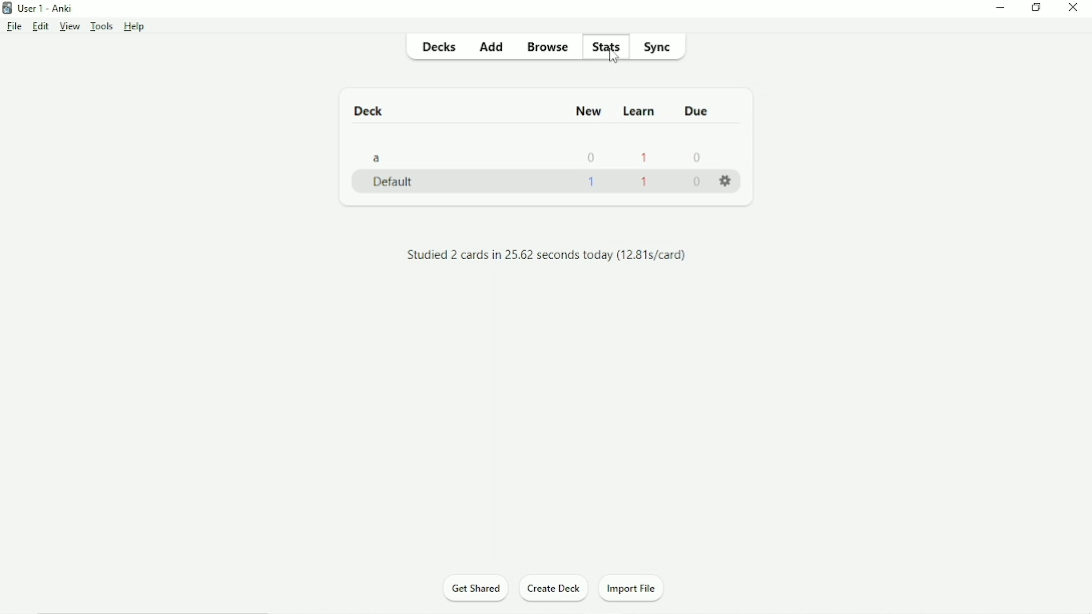 Image resolution: width=1092 pixels, height=614 pixels. What do you see at coordinates (614, 55) in the screenshot?
I see `Cursor` at bounding box center [614, 55].